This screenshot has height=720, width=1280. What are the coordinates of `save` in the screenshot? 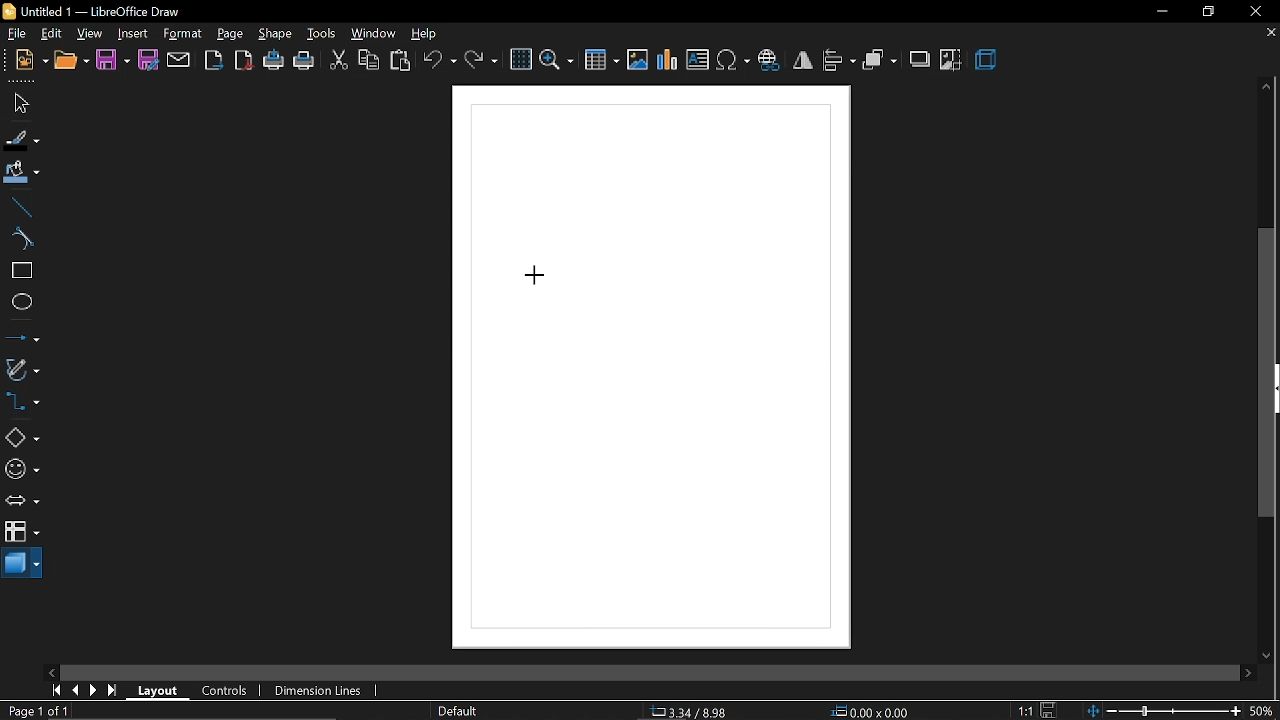 It's located at (1050, 710).